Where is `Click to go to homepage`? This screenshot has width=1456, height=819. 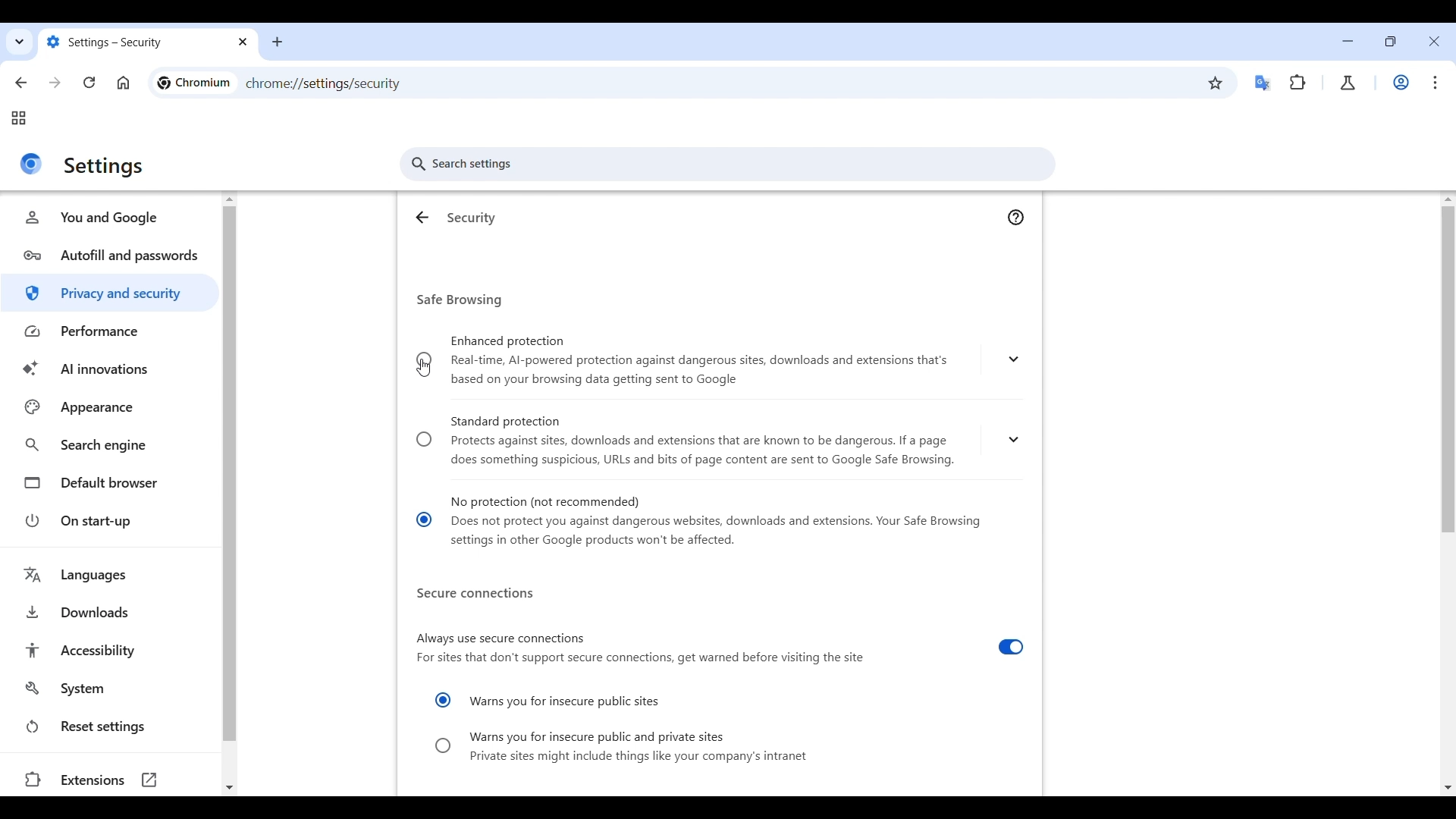 Click to go to homepage is located at coordinates (124, 83).